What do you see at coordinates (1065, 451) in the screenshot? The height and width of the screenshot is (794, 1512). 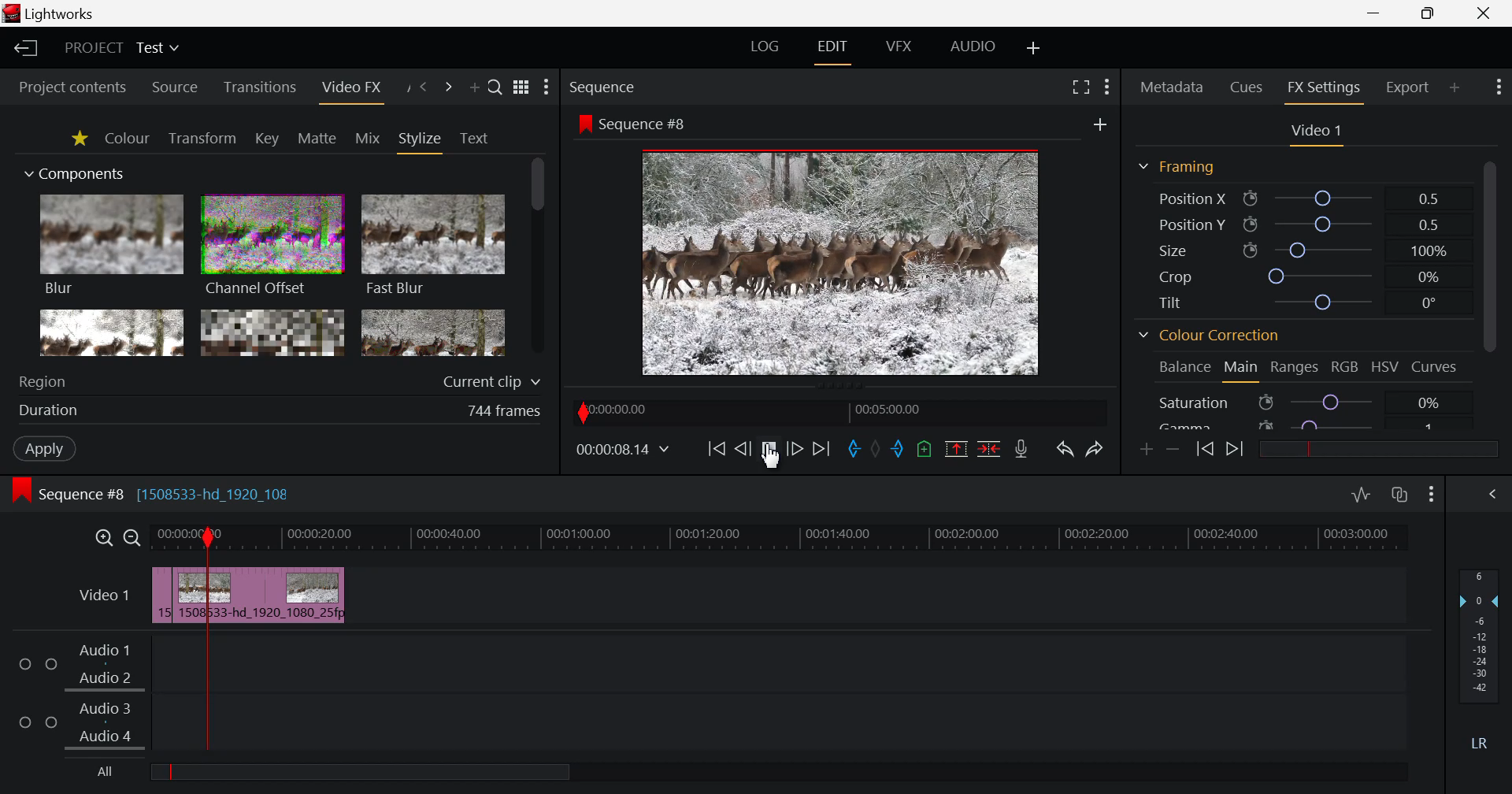 I see `Undo` at bounding box center [1065, 451].